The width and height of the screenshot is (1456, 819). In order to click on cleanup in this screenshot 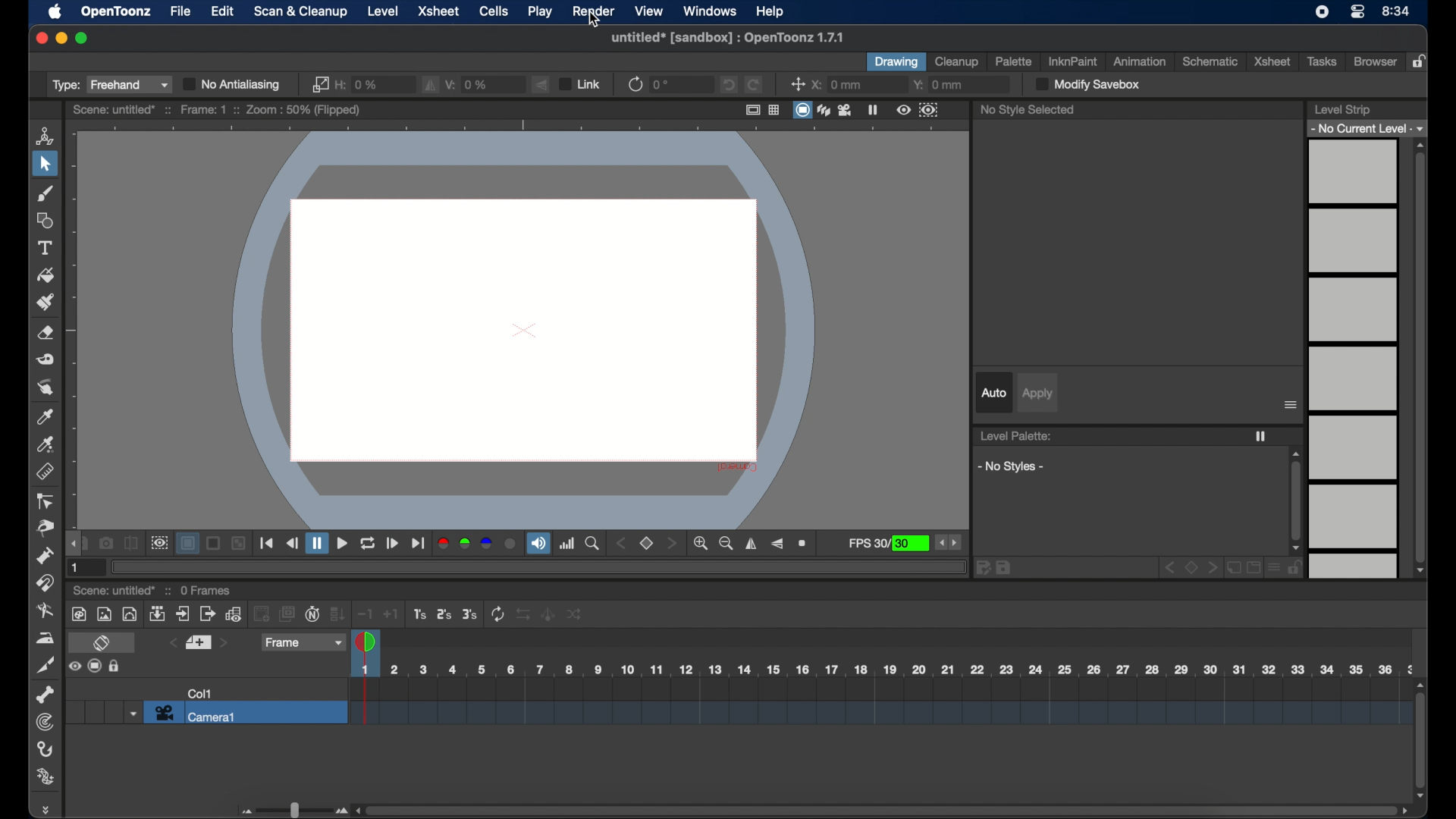, I will do `click(957, 61)`.